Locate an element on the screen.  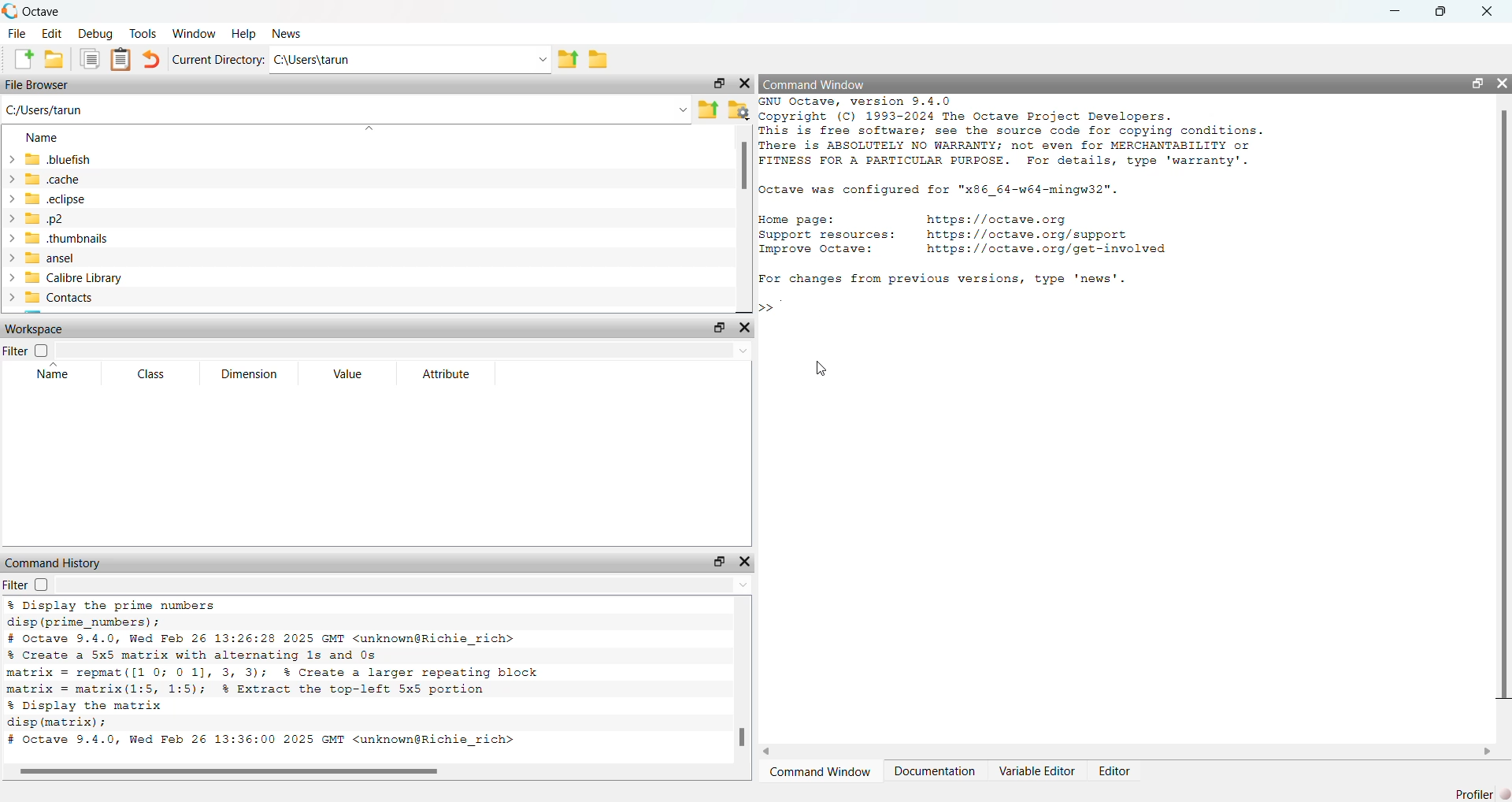
filter input field is located at coordinates (406, 587).